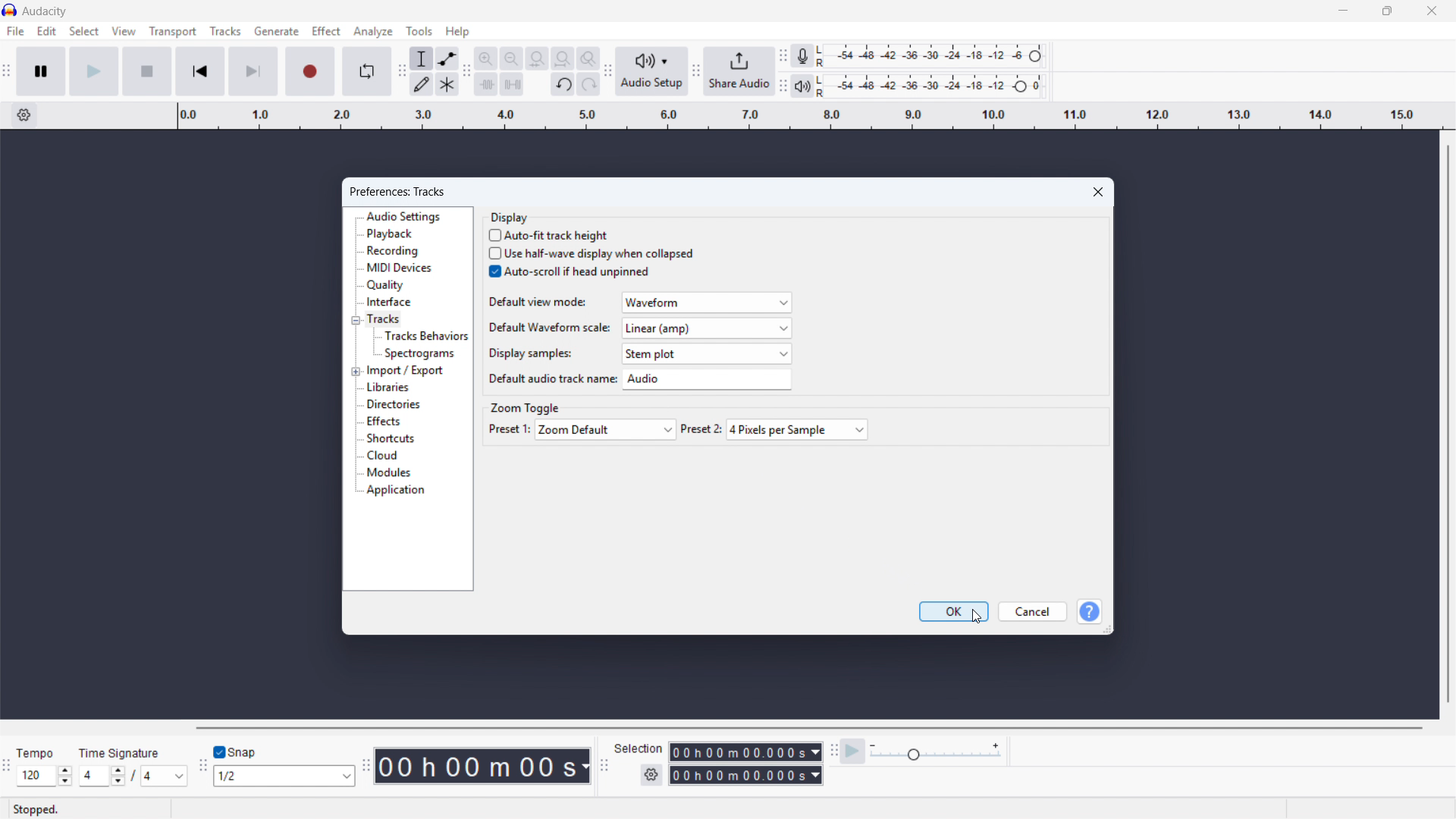  Describe the element at coordinates (36, 811) in the screenshot. I see `stopped` at that location.